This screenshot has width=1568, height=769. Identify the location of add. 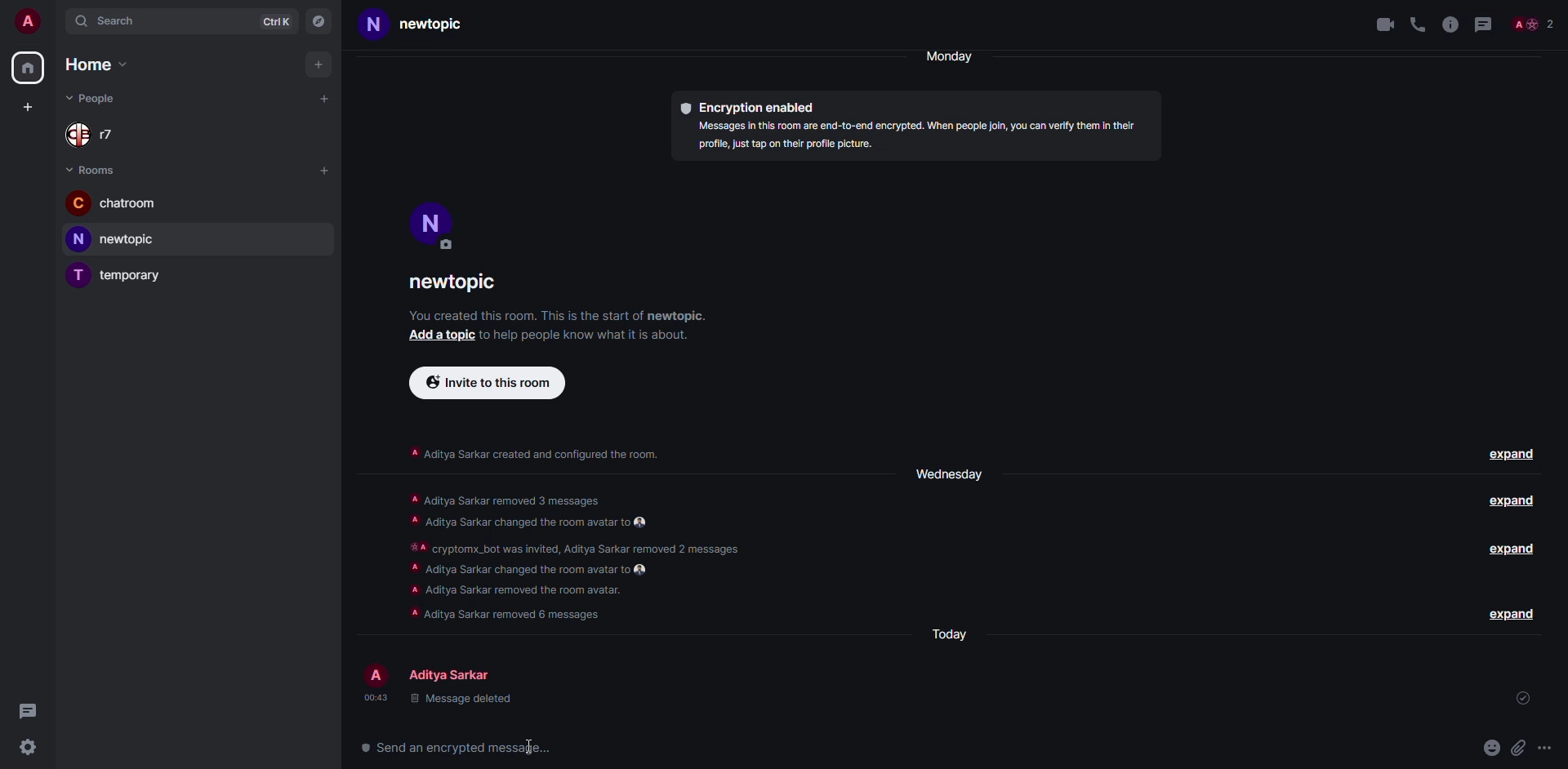
(438, 335).